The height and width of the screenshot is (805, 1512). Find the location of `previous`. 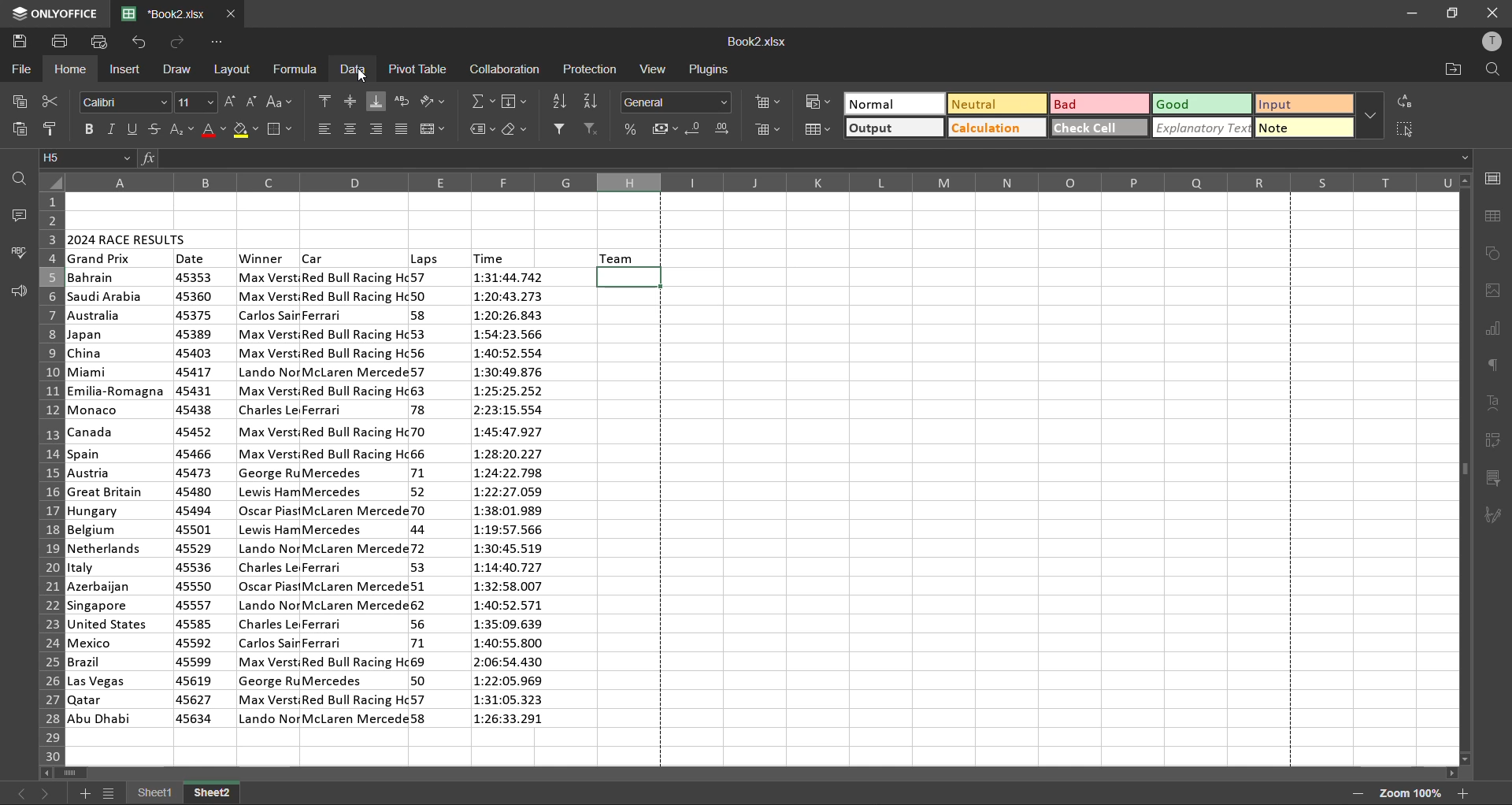

previous is located at coordinates (20, 792).